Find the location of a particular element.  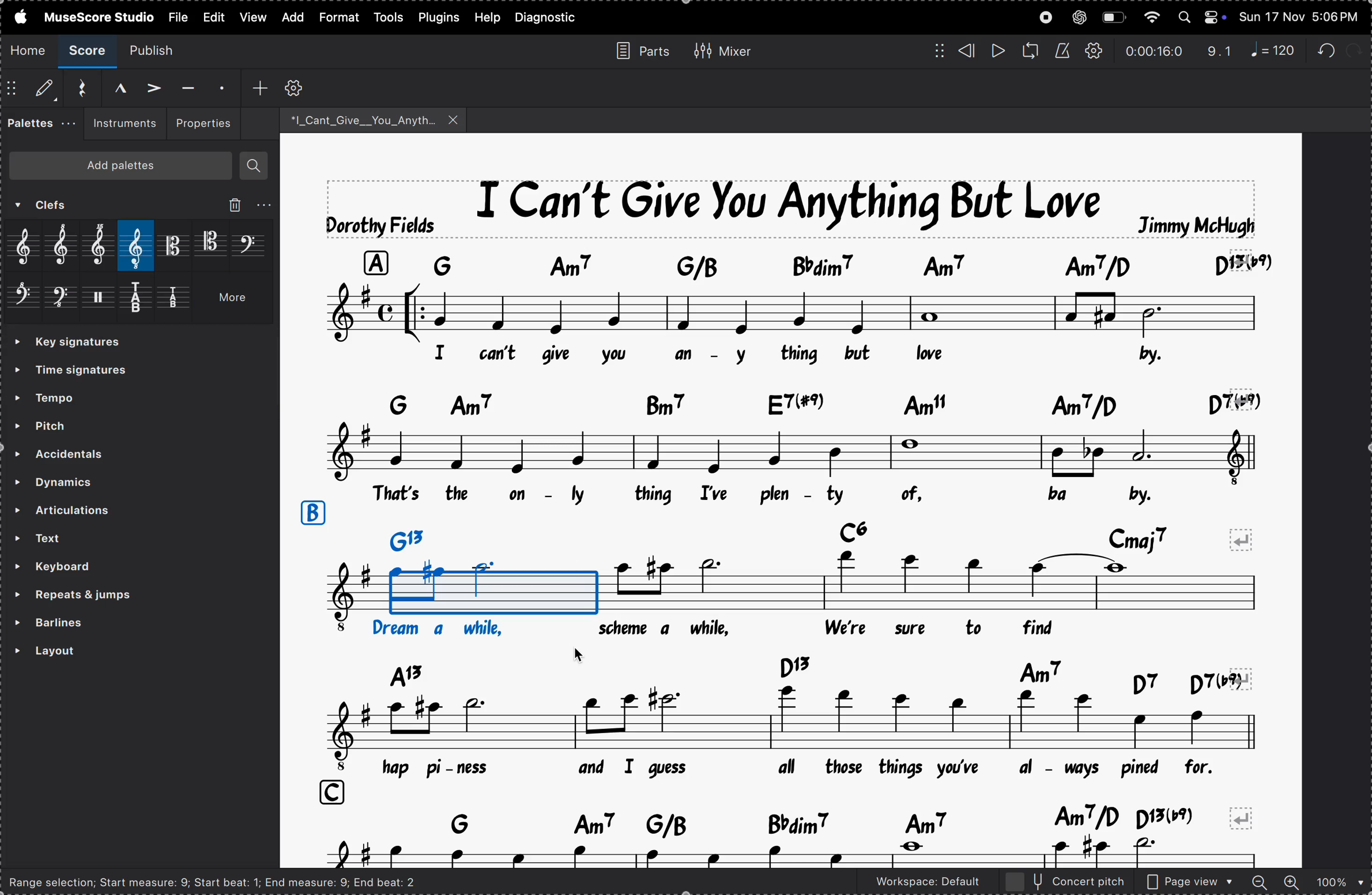

key notes is located at coordinates (795, 819).